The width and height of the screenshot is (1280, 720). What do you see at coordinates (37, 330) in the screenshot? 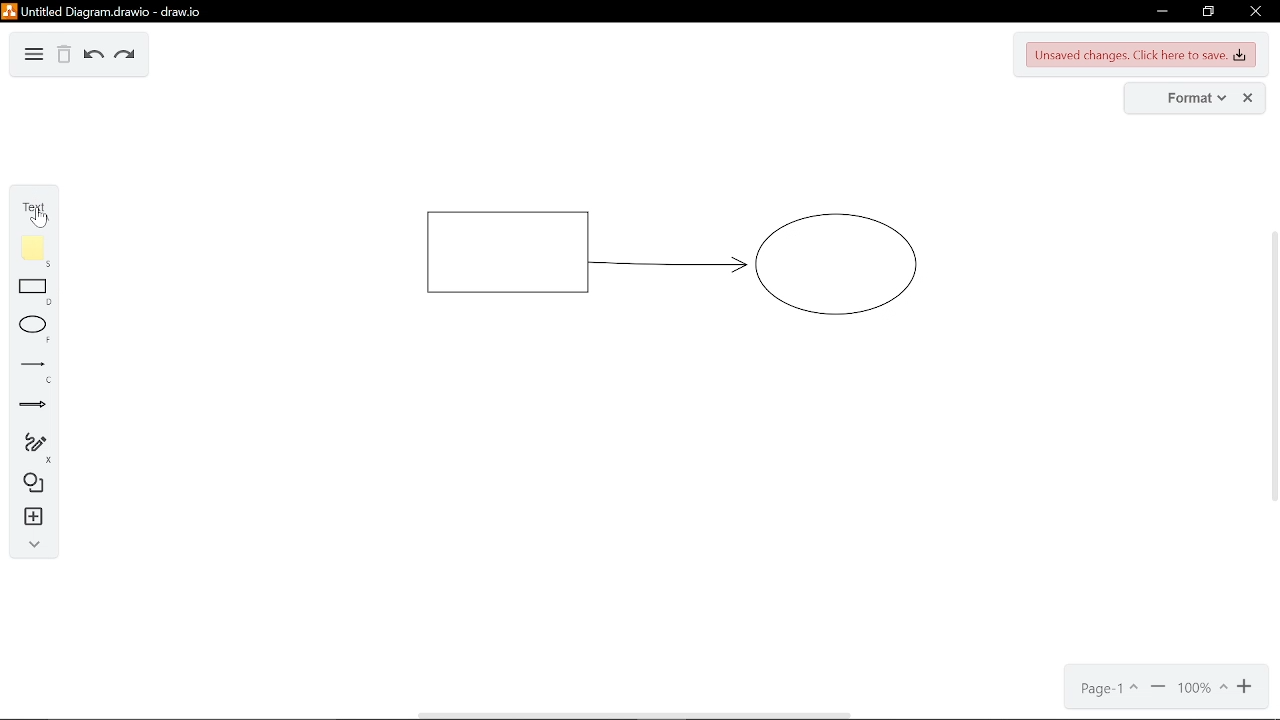
I see `ellipse` at bounding box center [37, 330].